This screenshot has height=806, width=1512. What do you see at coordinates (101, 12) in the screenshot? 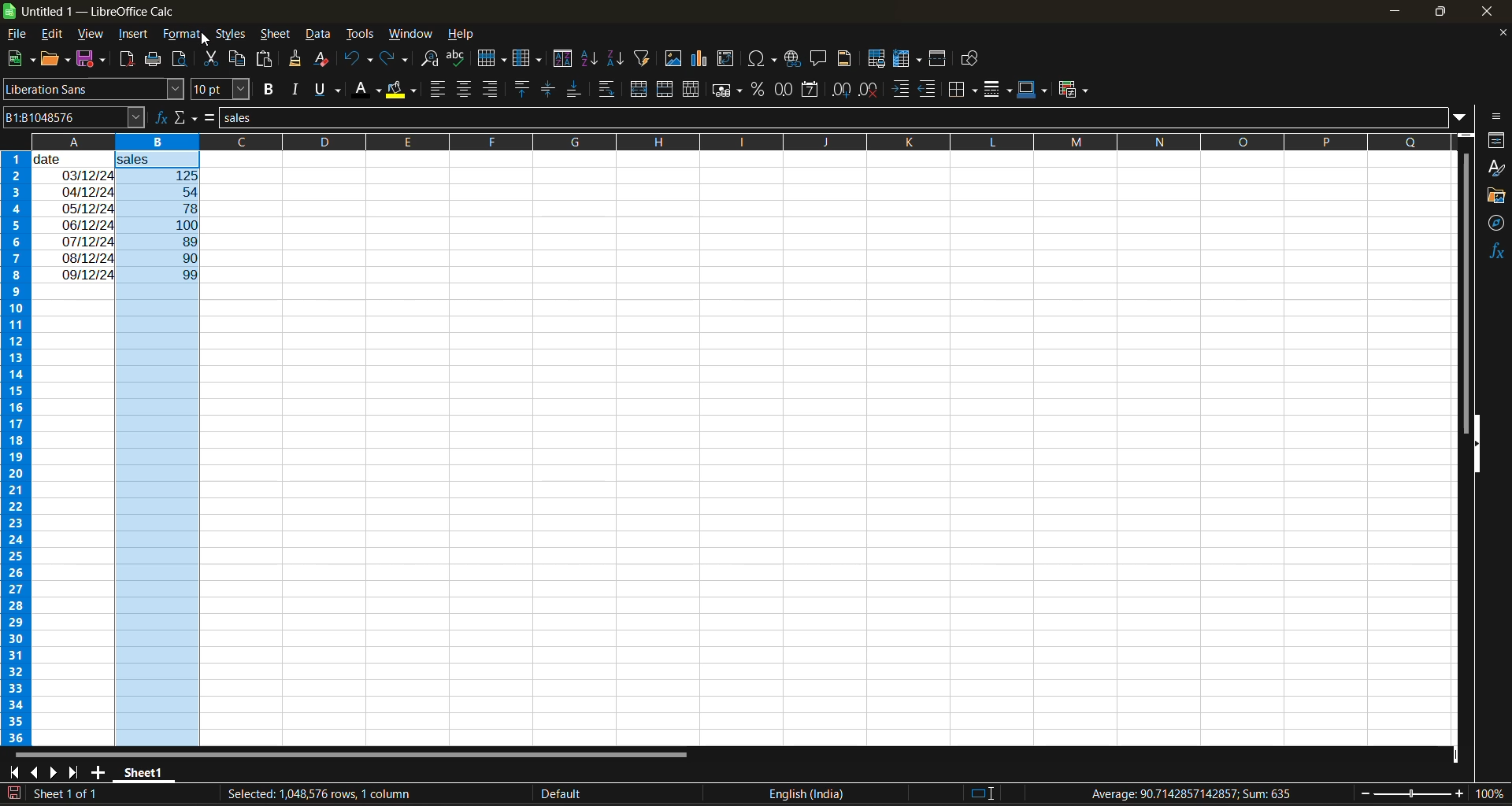
I see `app name and file name` at bounding box center [101, 12].